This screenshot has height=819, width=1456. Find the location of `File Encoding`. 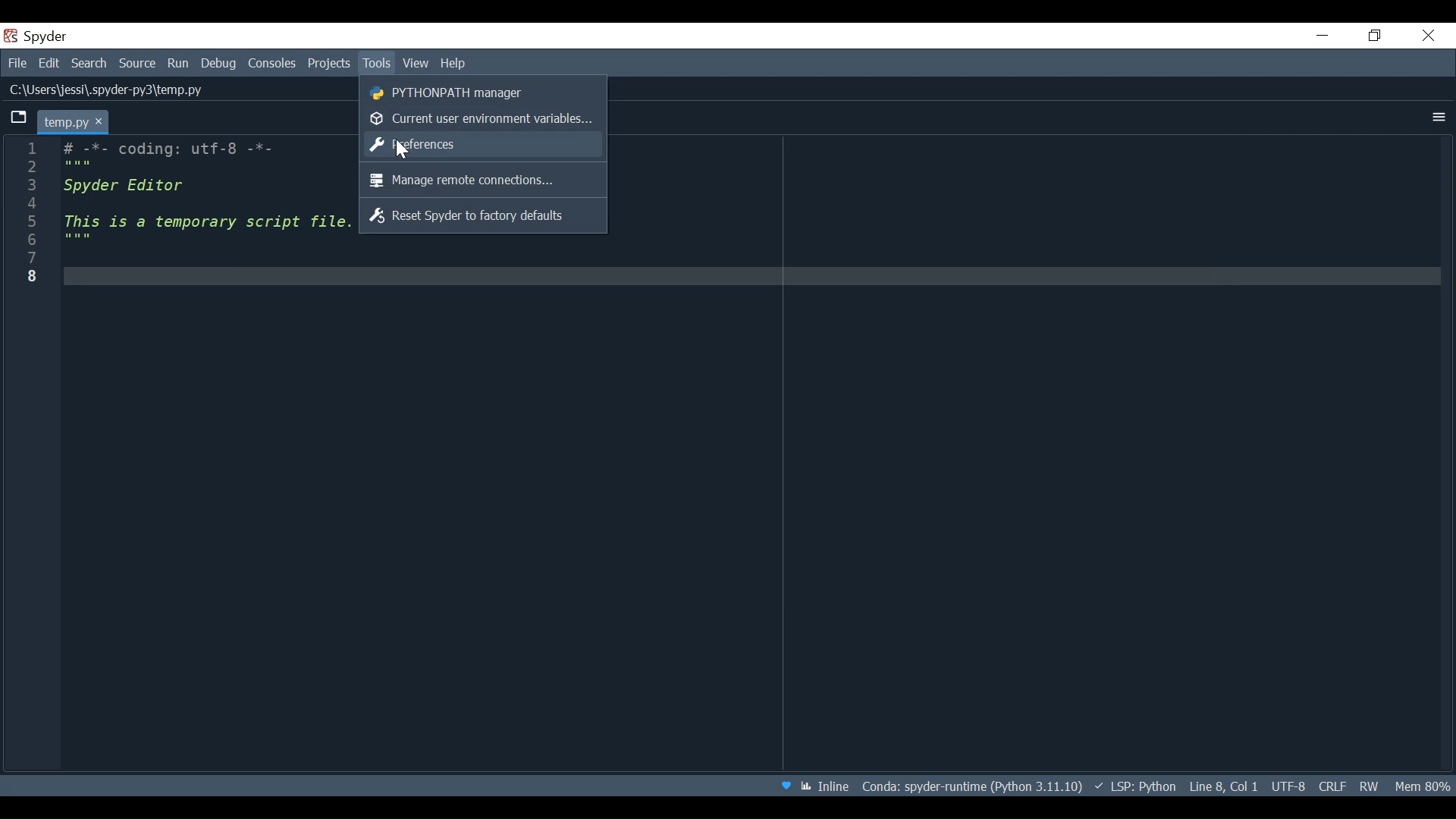

File Encoding is located at coordinates (1288, 786).